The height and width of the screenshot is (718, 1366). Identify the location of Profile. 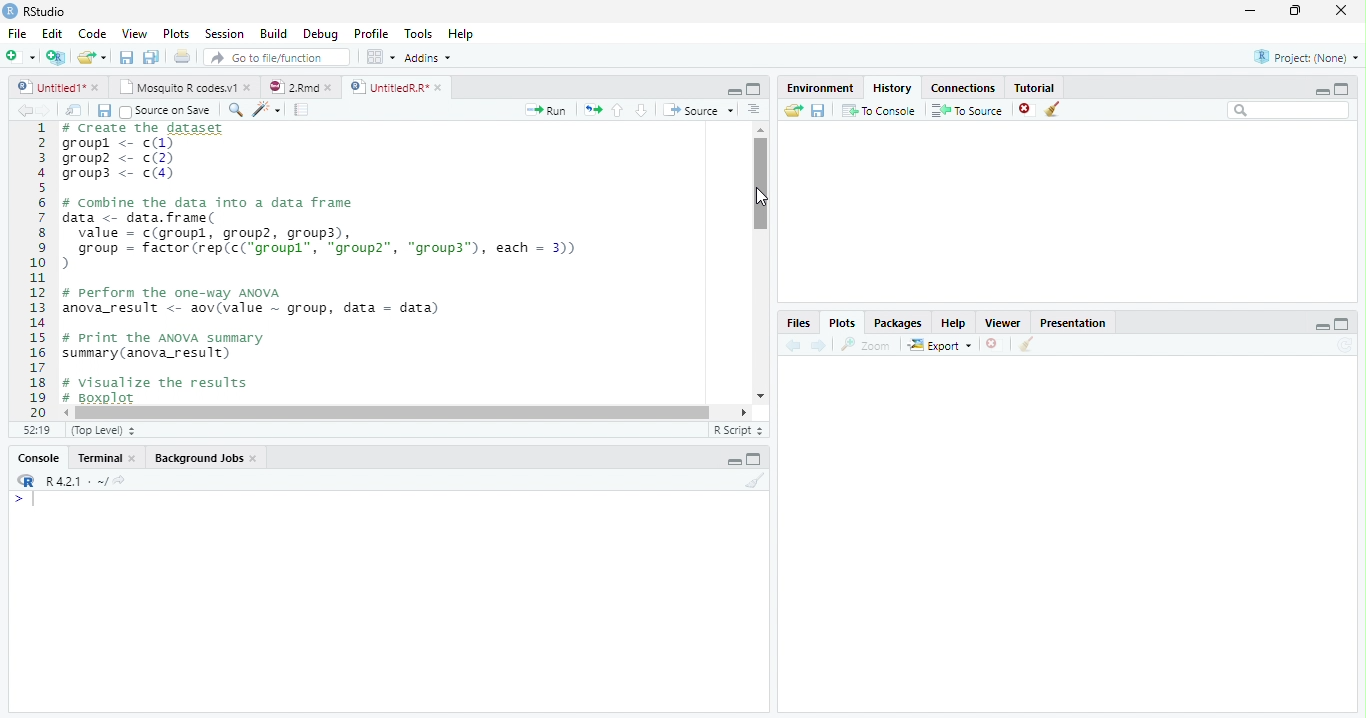
(370, 34).